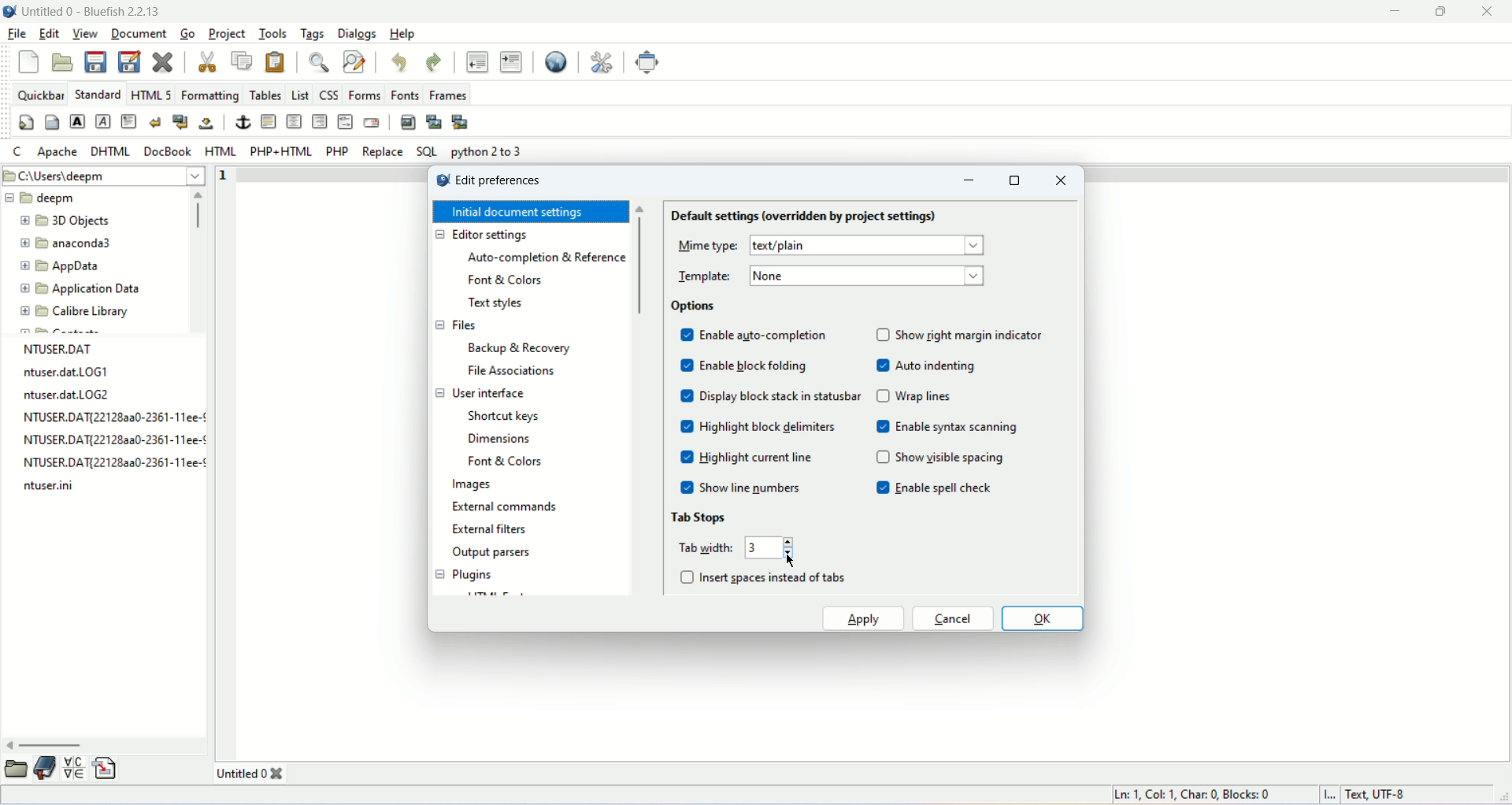  Describe the element at coordinates (554, 60) in the screenshot. I see `preview in browser` at that location.